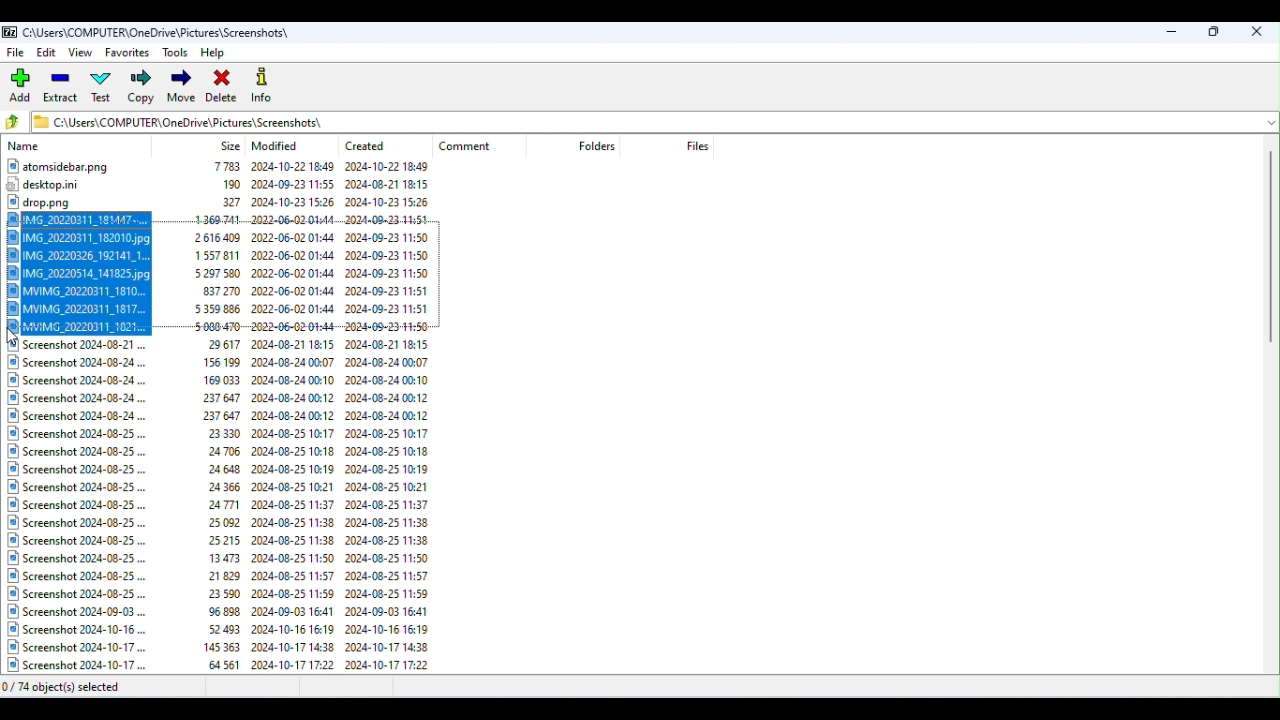  I want to click on View, so click(83, 54).